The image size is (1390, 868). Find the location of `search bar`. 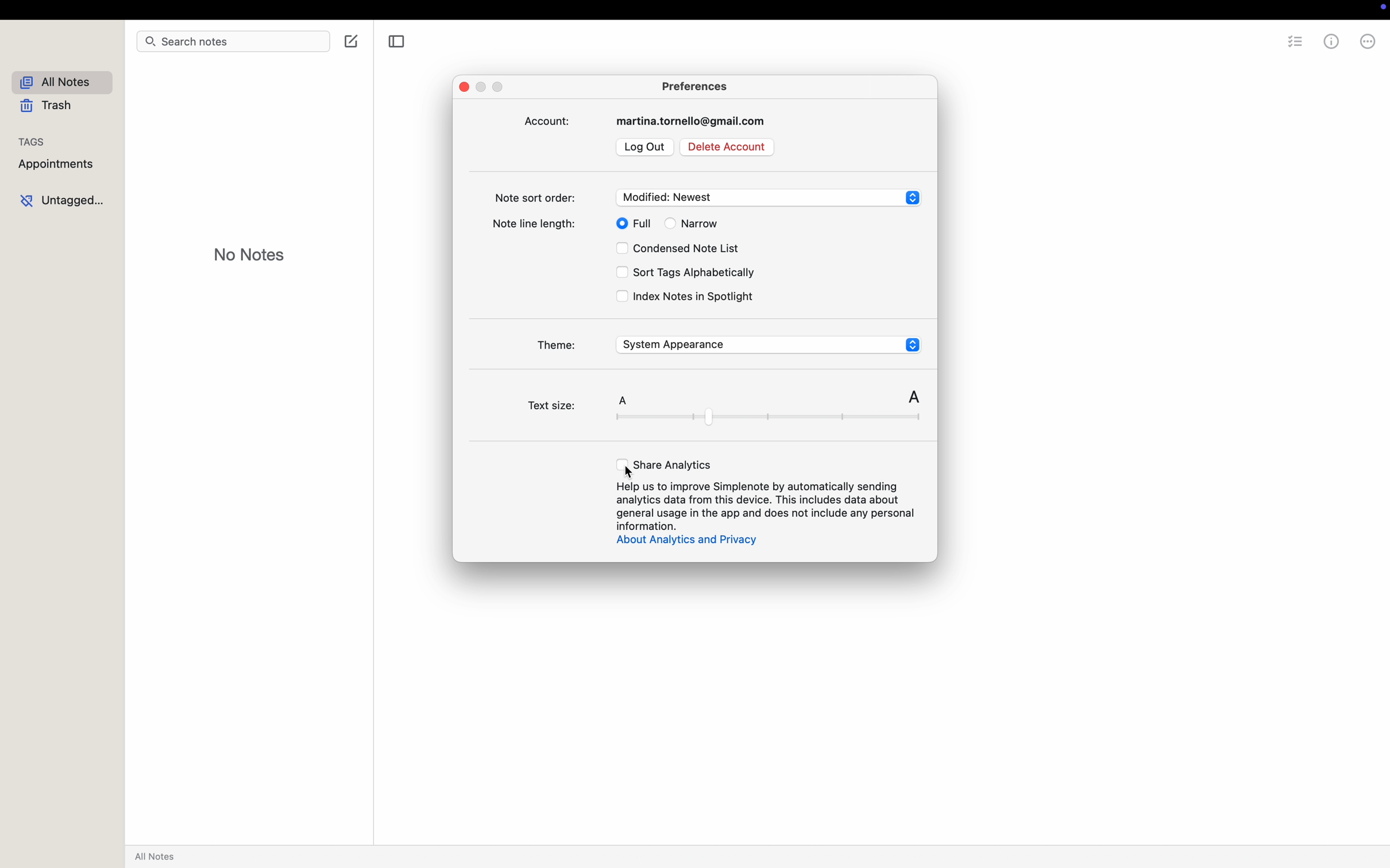

search bar is located at coordinates (233, 43).